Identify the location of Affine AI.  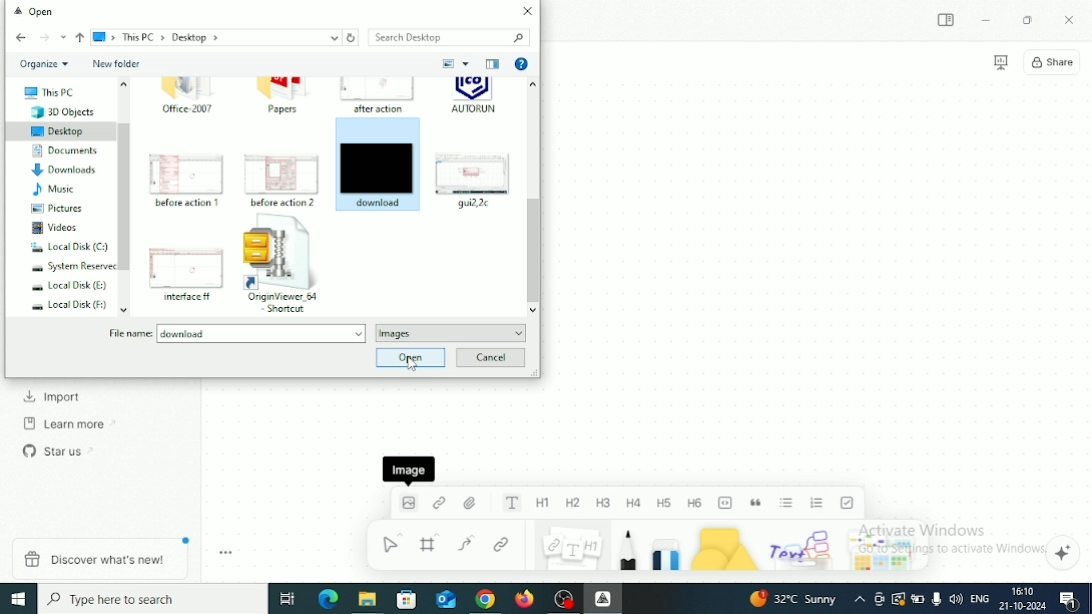
(1064, 552).